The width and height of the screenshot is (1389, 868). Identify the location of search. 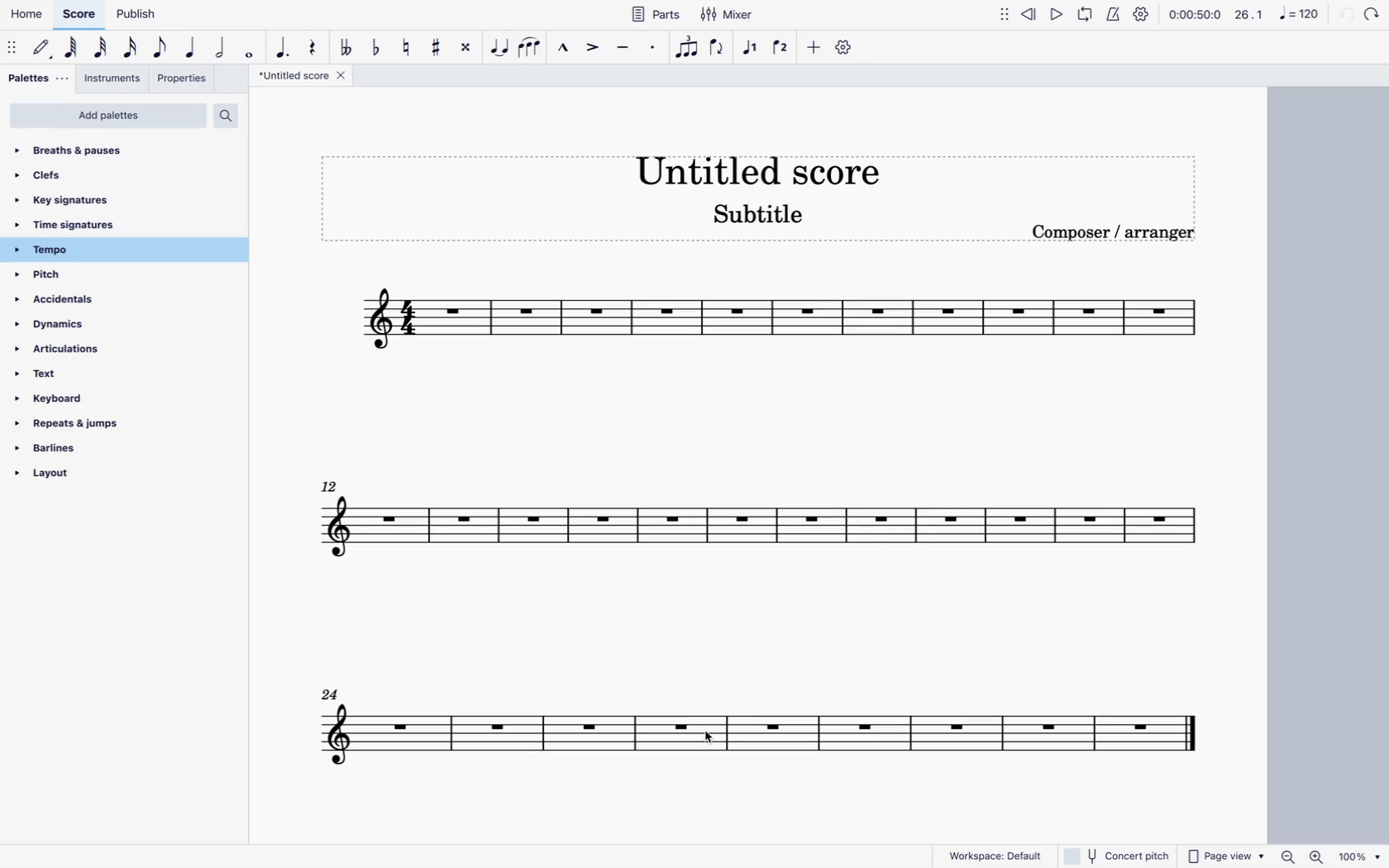
(234, 117).